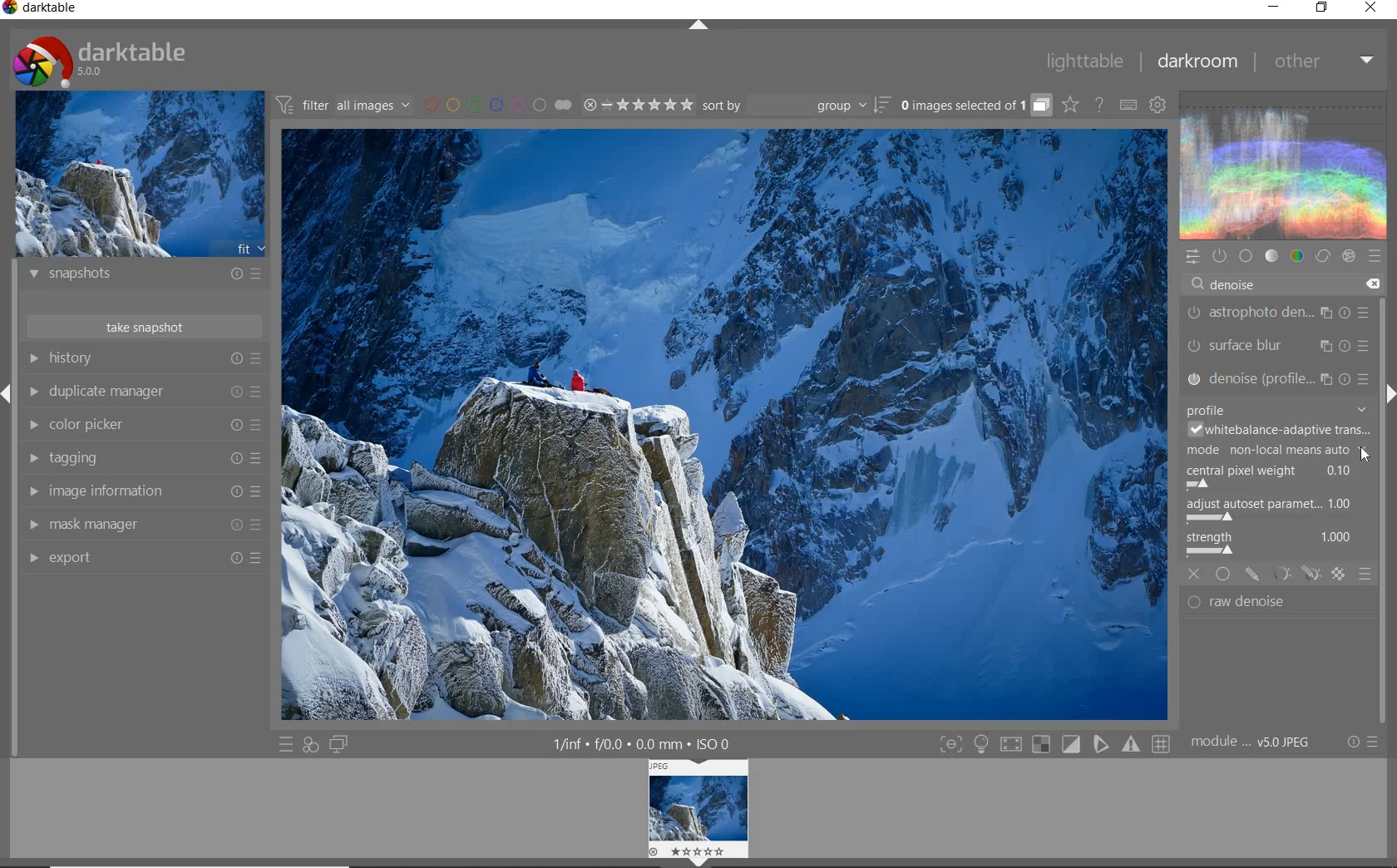 The width and height of the screenshot is (1397, 868). Describe the element at coordinates (1246, 255) in the screenshot. I see `base` at that location.